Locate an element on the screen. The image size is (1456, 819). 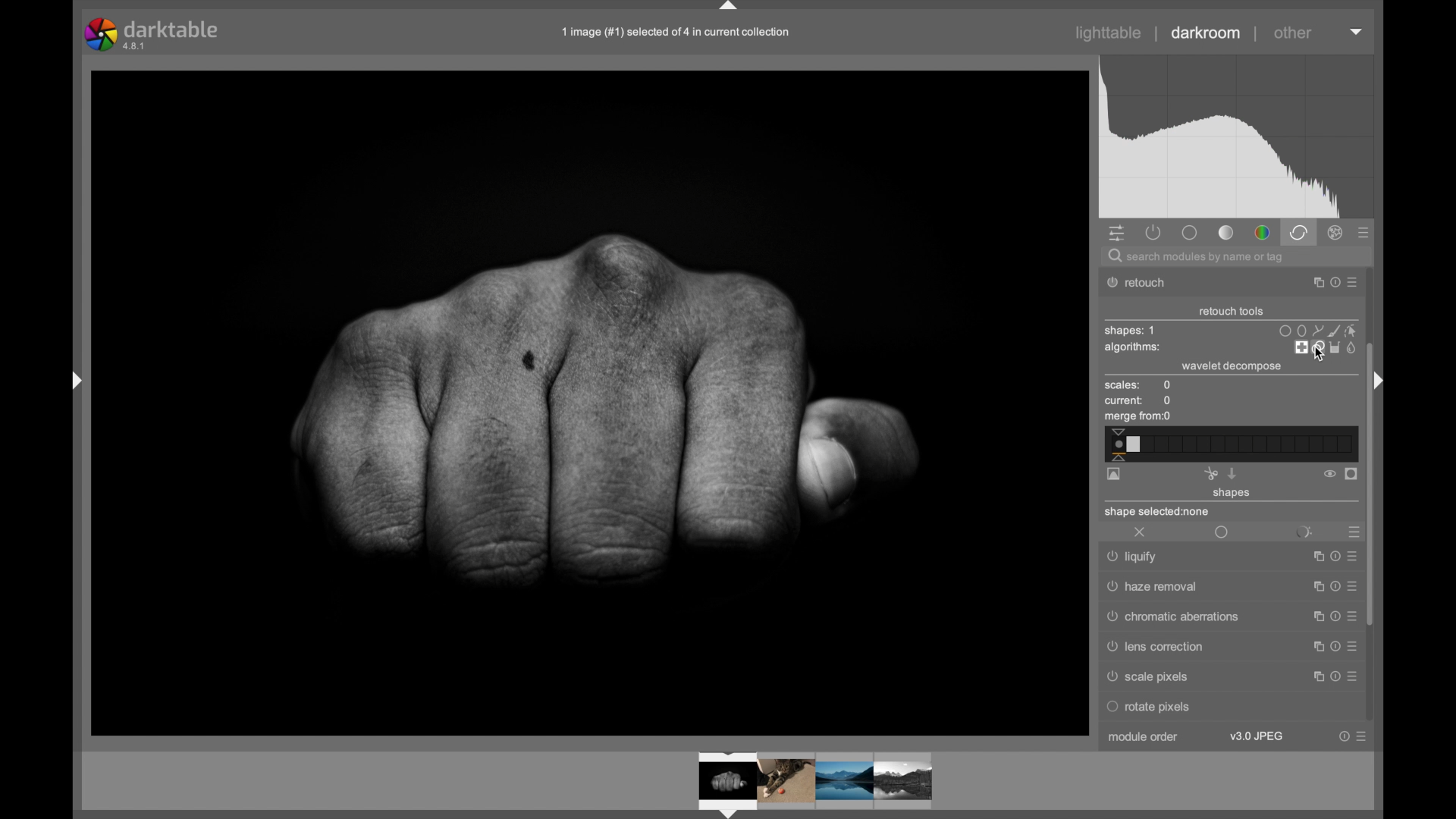
more options is located at coordinates (1351, 676).